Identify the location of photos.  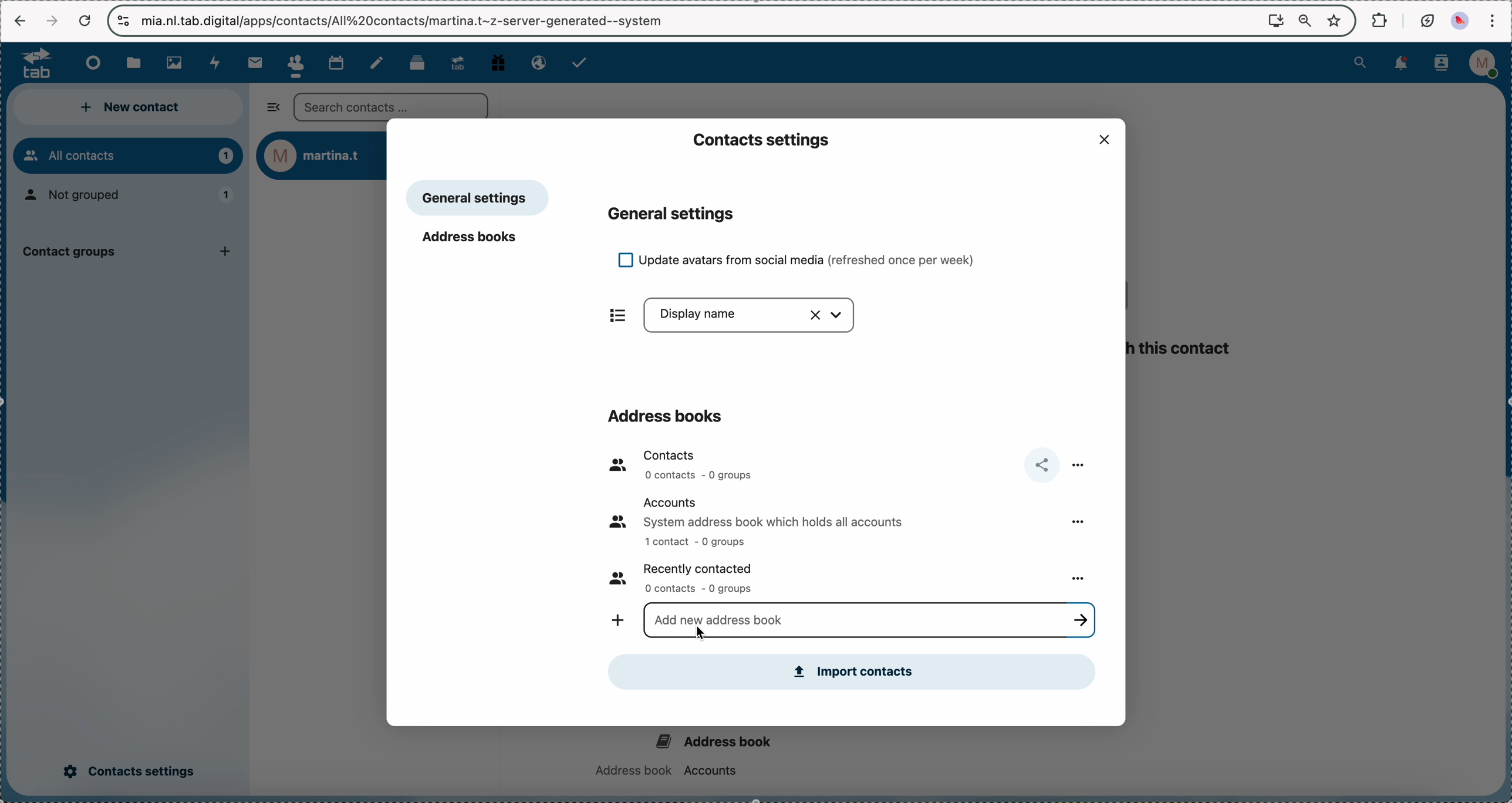
(176, 63).